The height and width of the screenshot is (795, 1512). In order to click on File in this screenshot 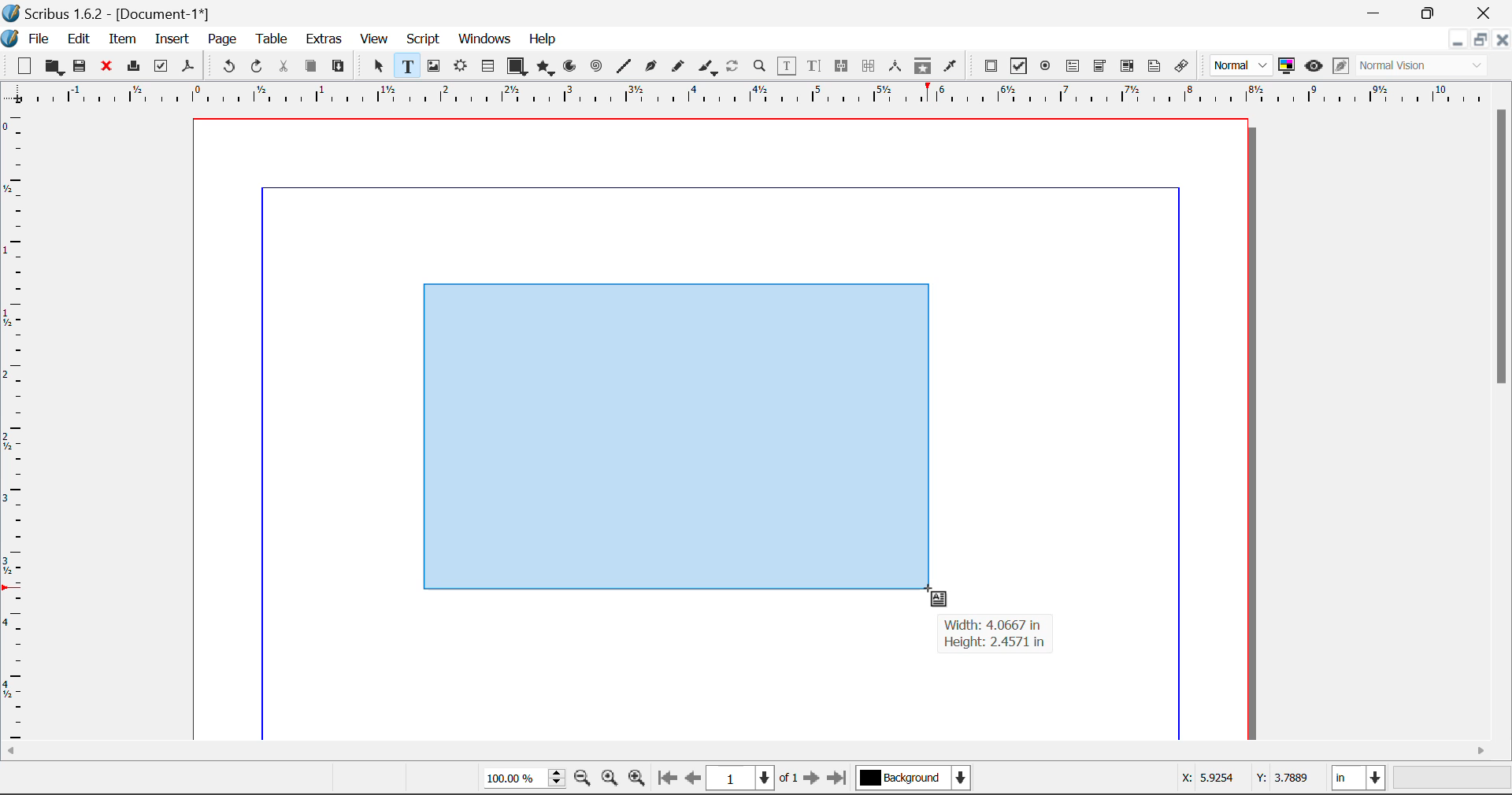, I will do `click(28, 37)`.